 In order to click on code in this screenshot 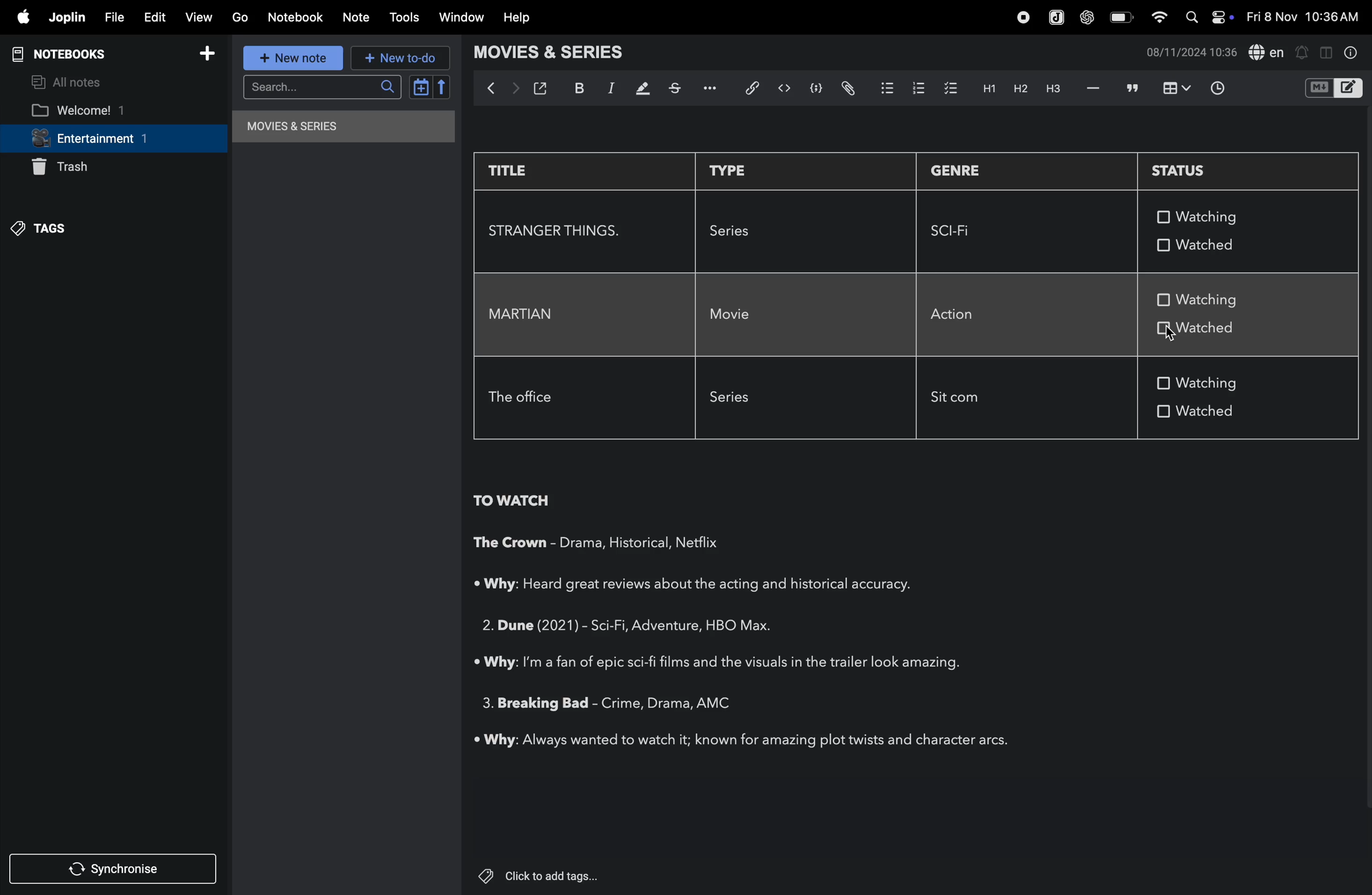, I will do `click(812, 88)`.